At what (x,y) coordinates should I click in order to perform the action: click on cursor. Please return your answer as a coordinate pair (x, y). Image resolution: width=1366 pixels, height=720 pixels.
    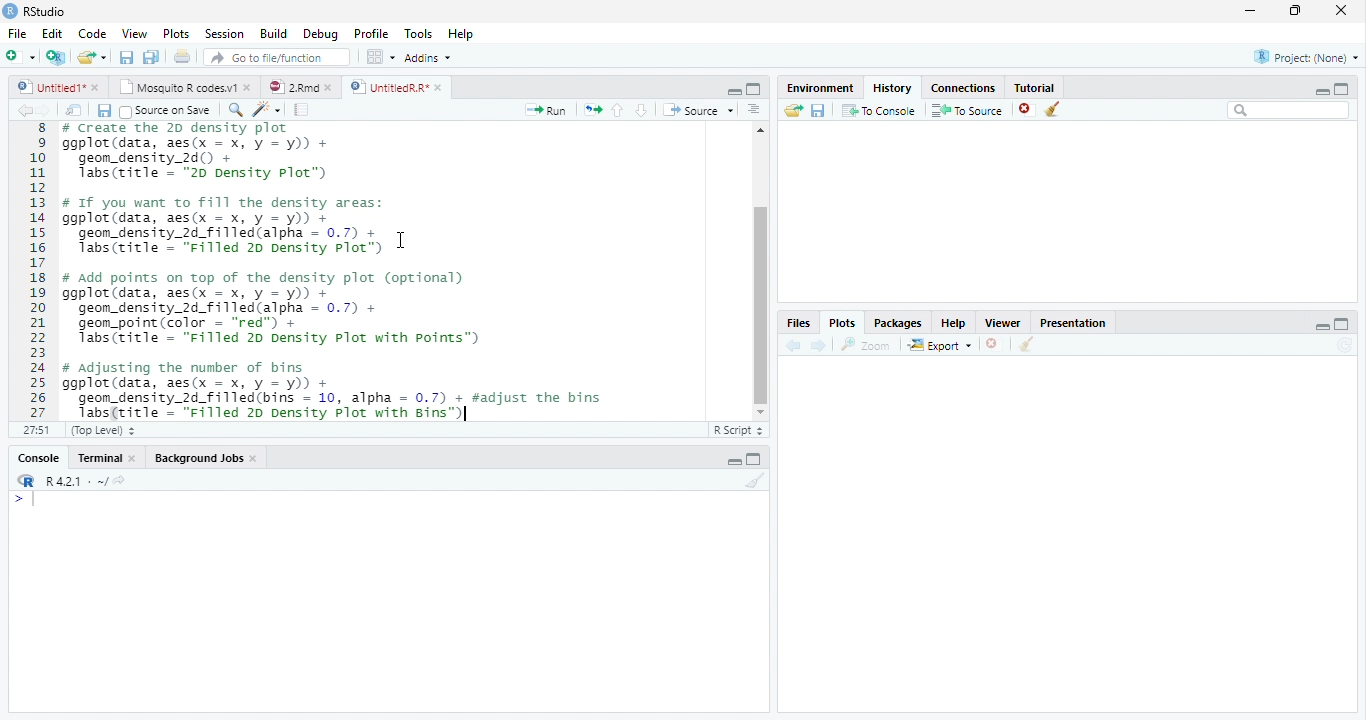
    Looking at the image, I should click on (398, 241).